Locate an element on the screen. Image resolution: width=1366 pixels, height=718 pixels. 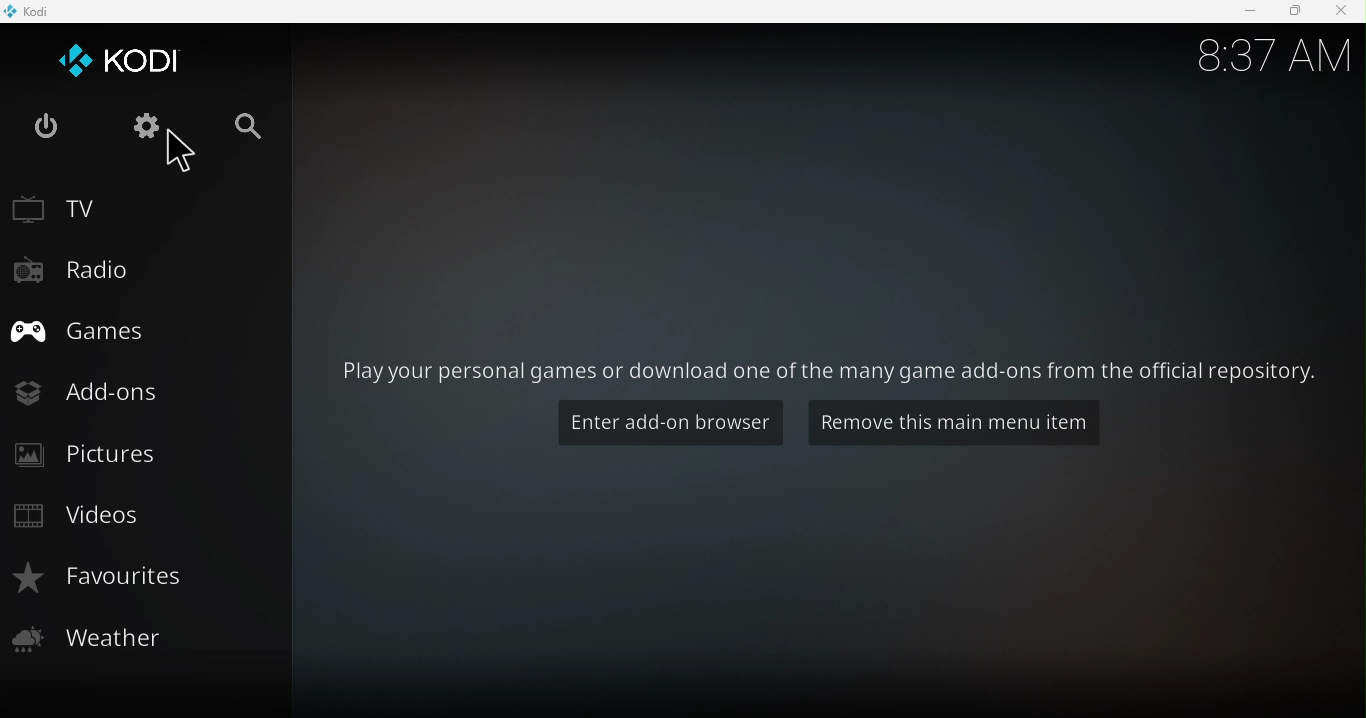
Pictures is located at coordinates (136, 456).